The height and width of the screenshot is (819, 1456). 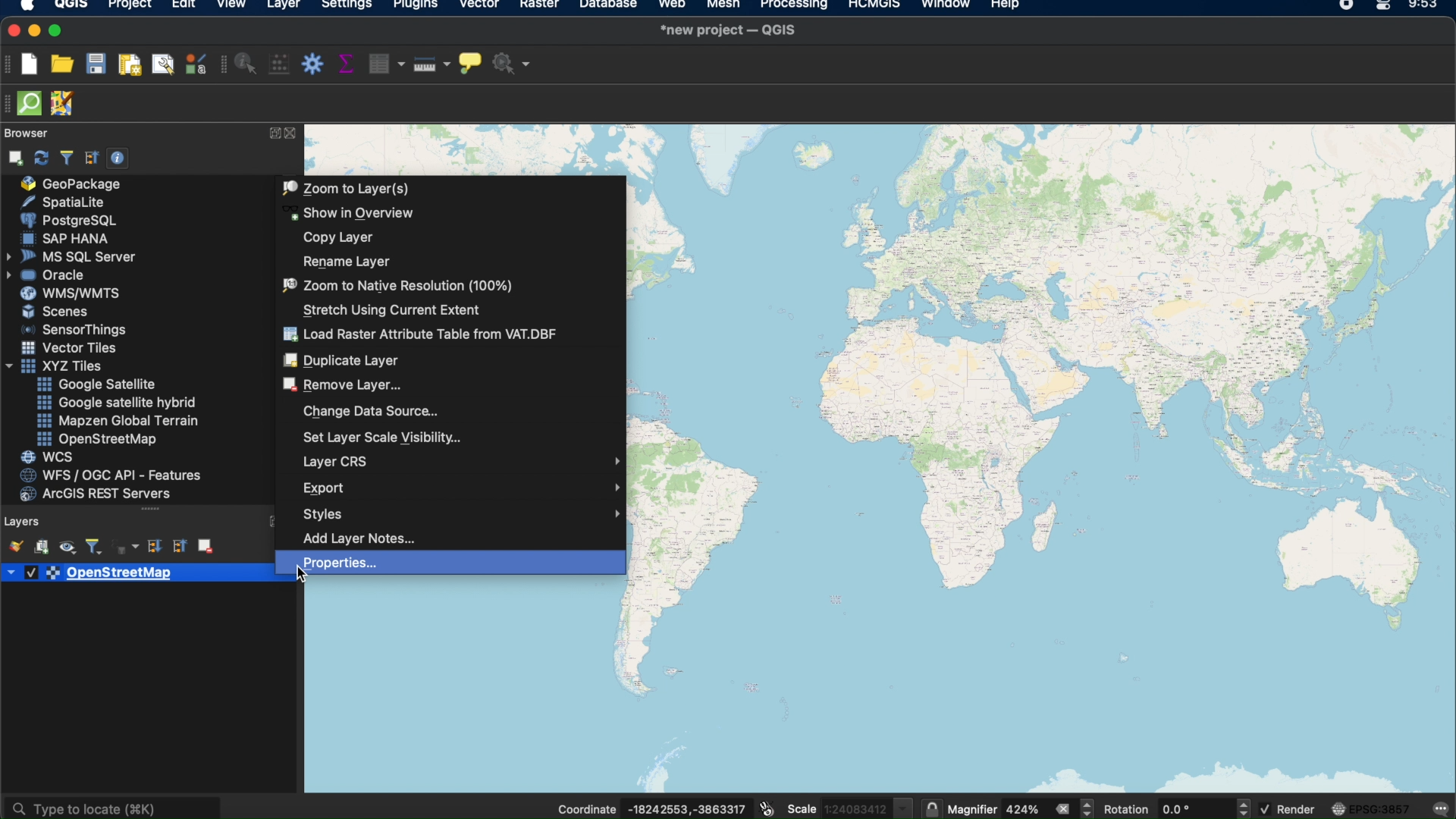 What do you see at coordinates (127, 548) in the screenshot?
I see `filter legend by expression` at bounding box center [127, 548].